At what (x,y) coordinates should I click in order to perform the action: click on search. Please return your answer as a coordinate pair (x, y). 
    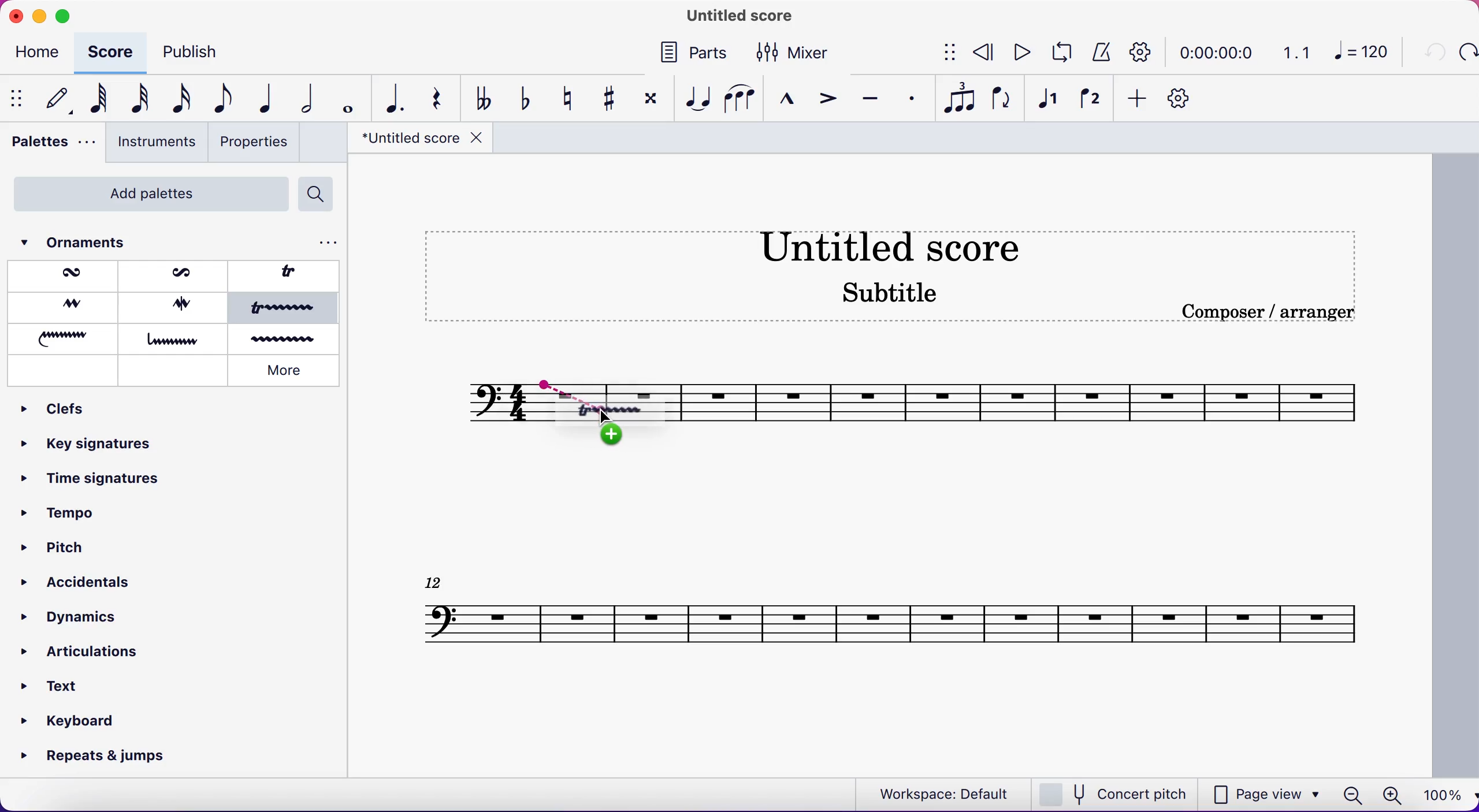
    Looking at the image, I should click on (321, 195).